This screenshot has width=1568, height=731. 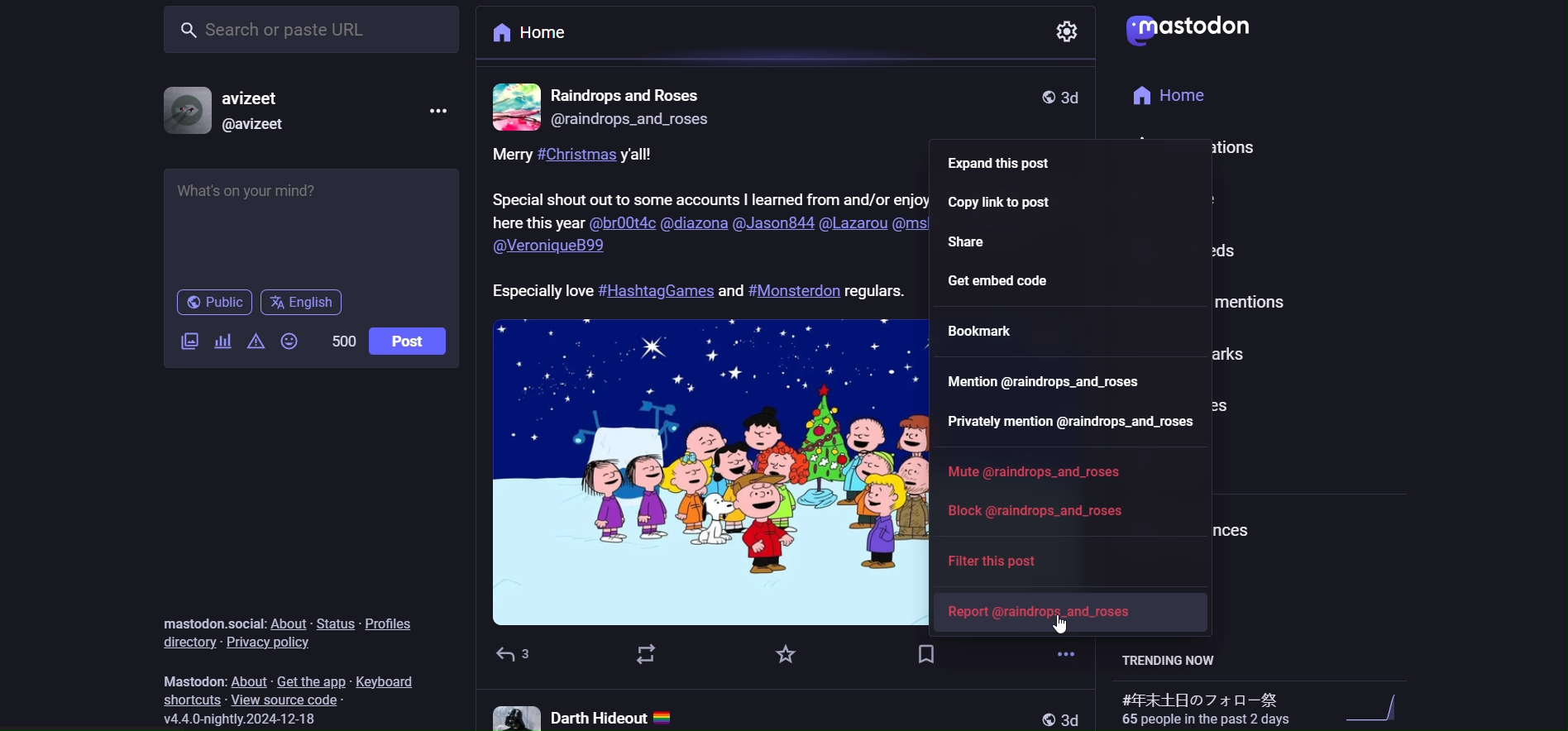 I want to click on caption, so click(x=706, y=227).